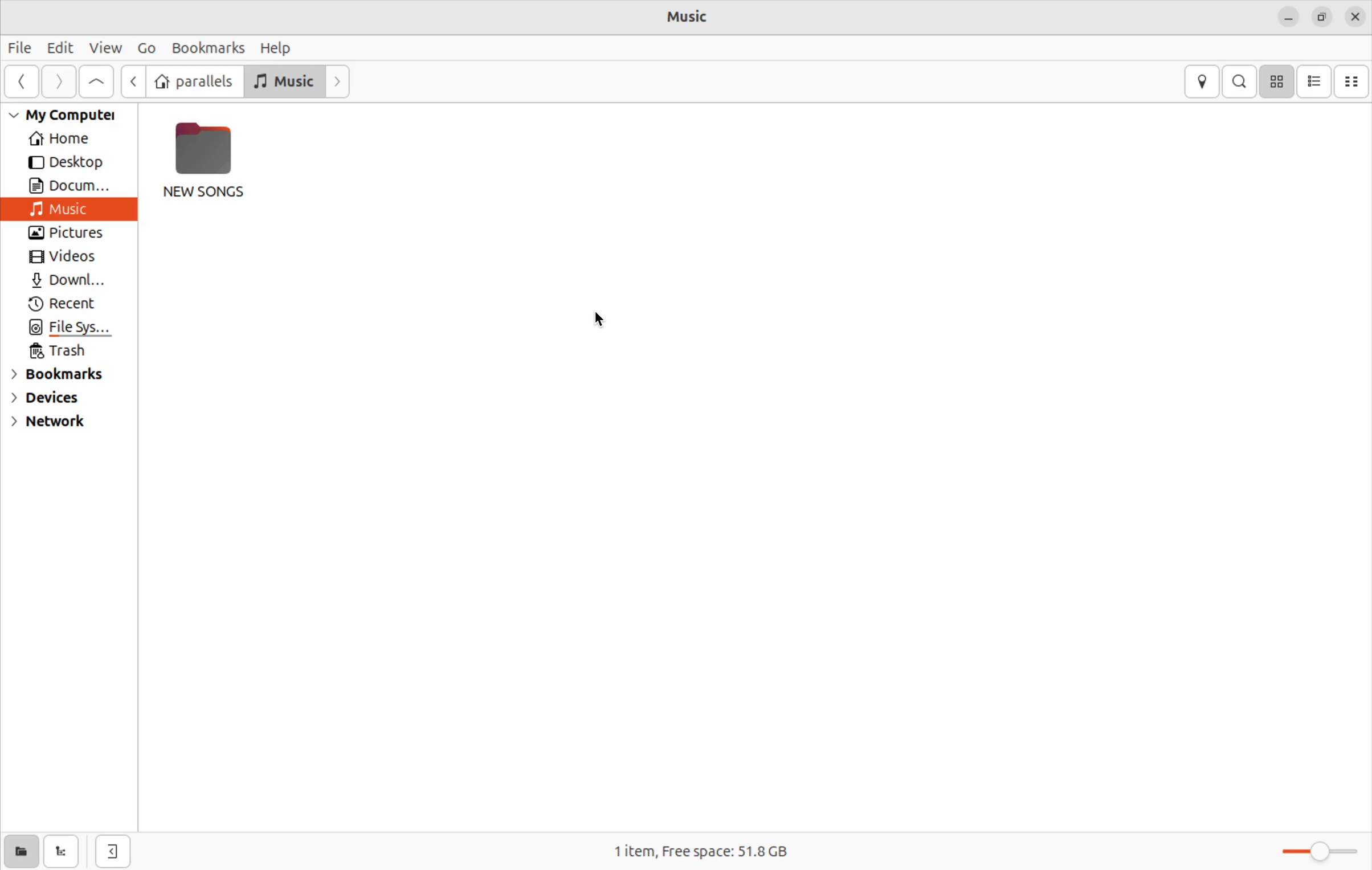  Describe the element at coordinates (23, 82) in the screenshot. I see `go back` at that location.